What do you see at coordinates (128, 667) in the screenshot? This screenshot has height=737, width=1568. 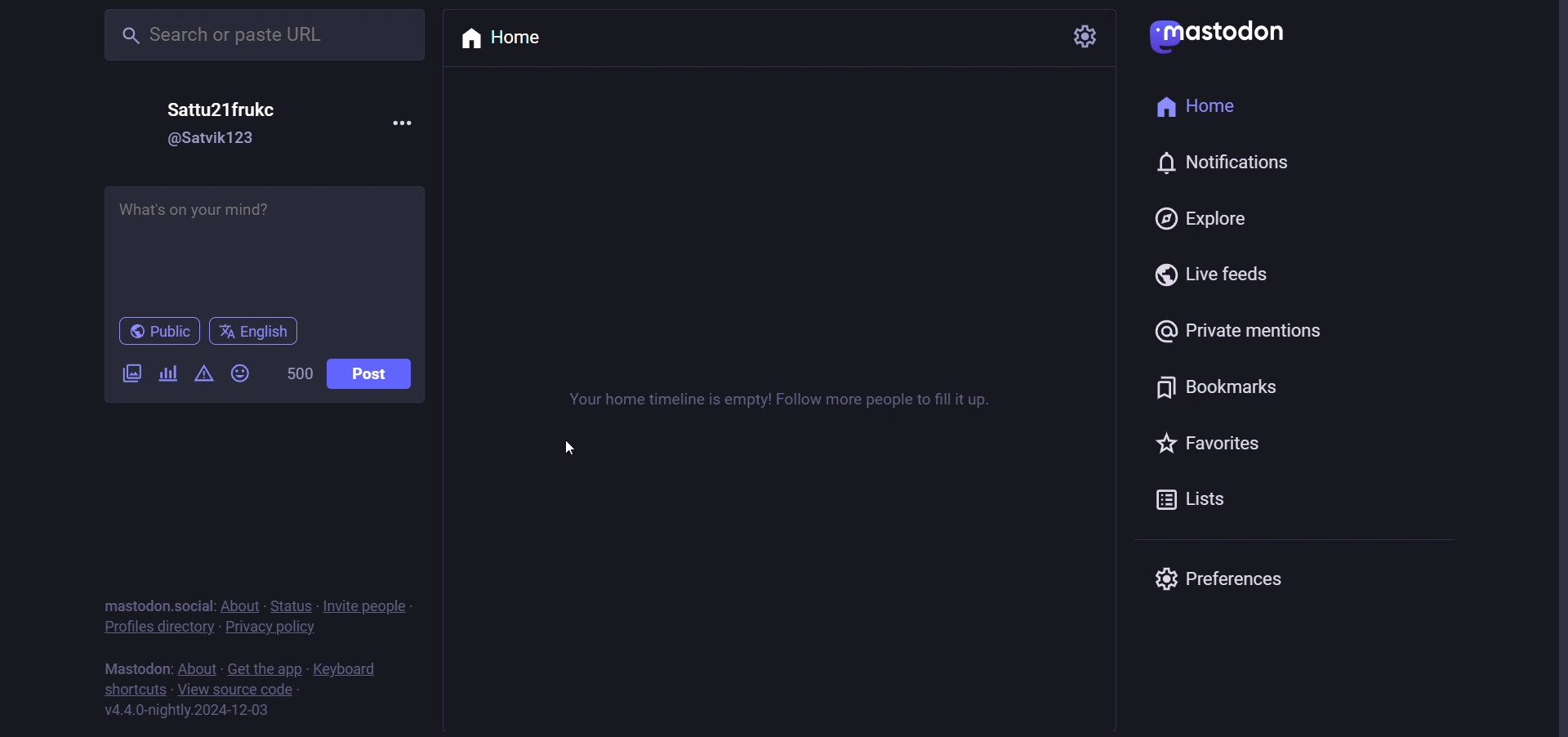 I see `mastodon` at bounding box center [128, 667].